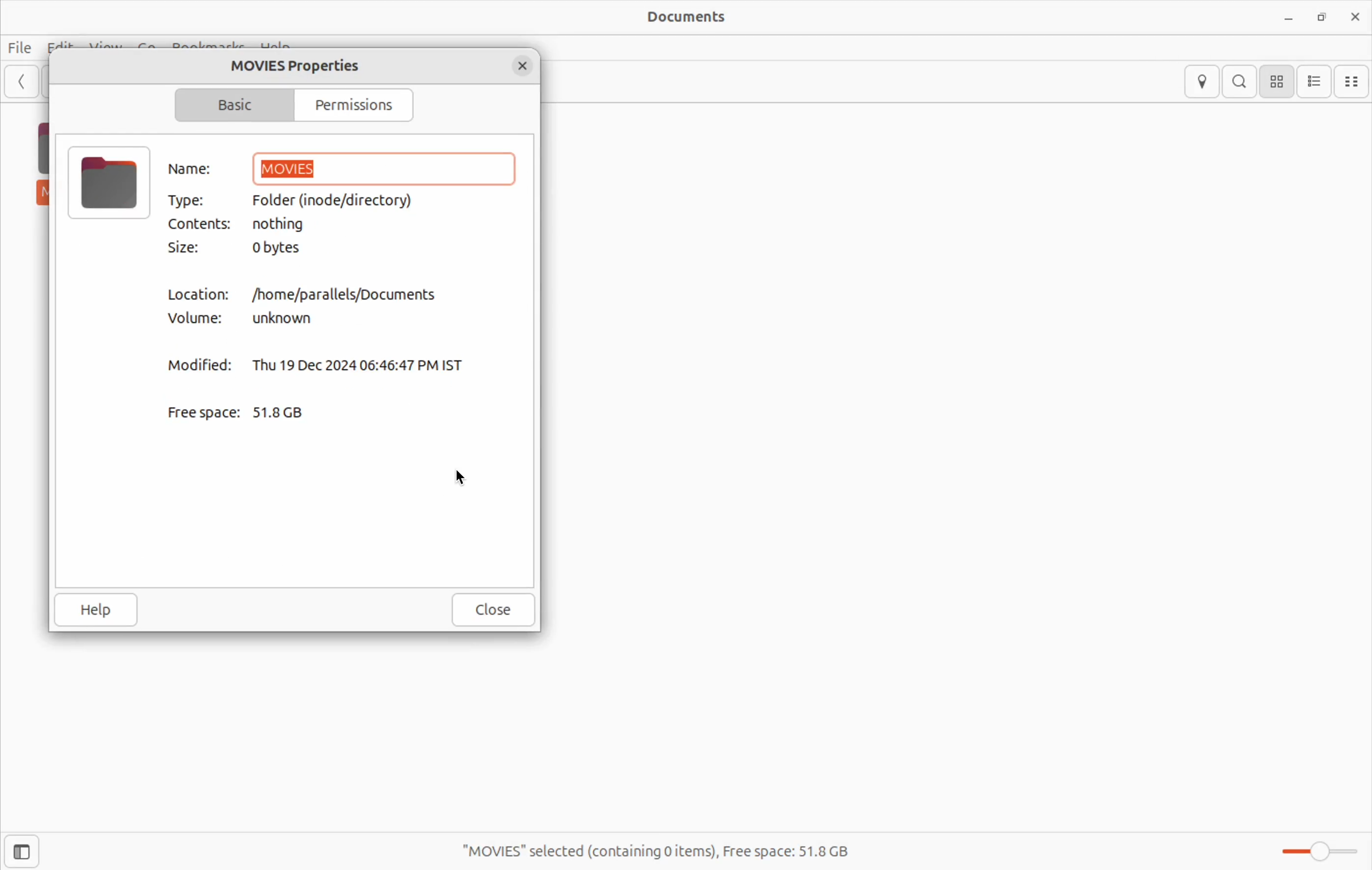  Describe the element at coordinates (201, 224) in the screenshot. I see `contents` at that location.